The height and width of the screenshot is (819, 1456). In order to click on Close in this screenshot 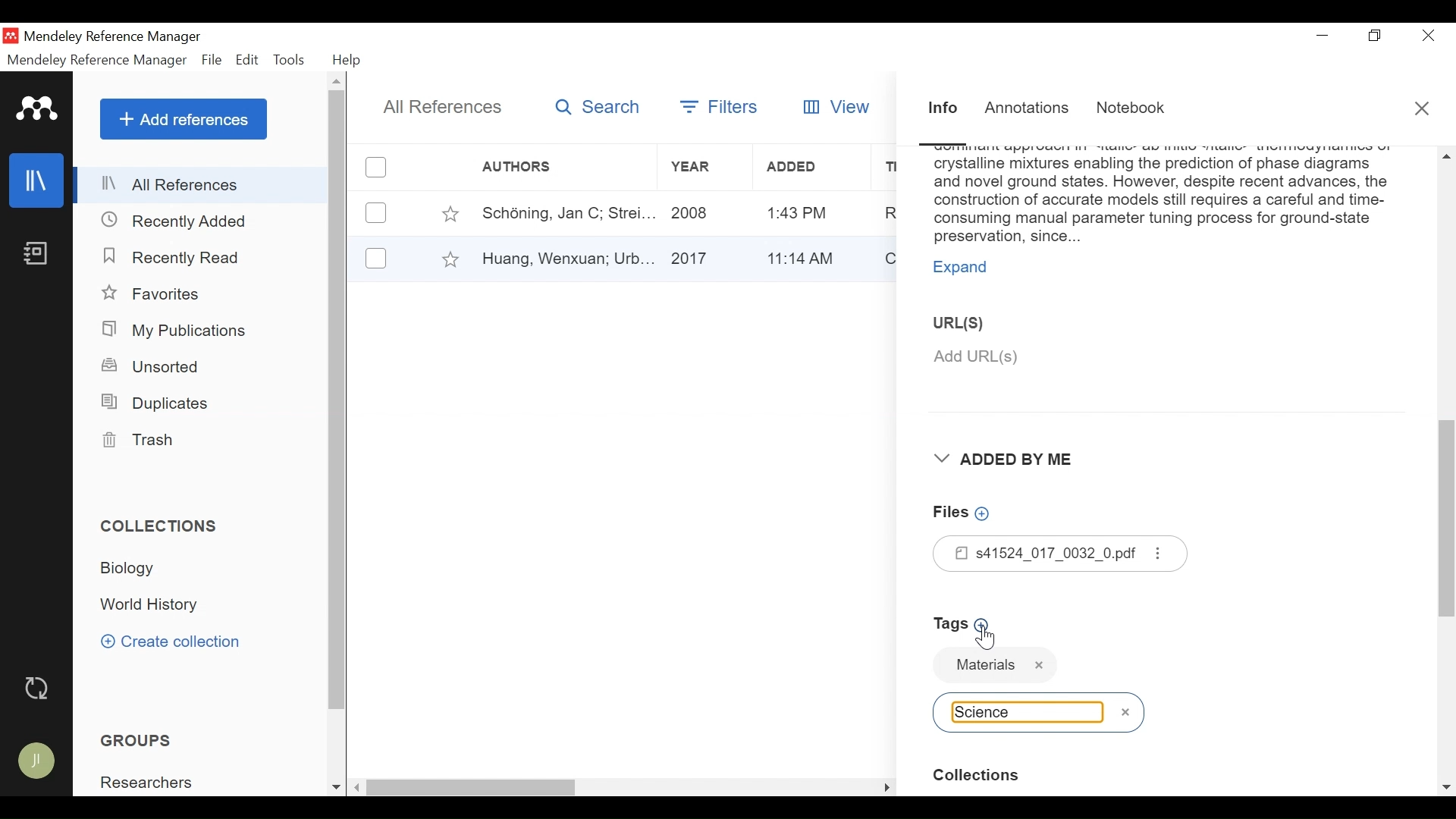, I will do `click(1430, 35)`.